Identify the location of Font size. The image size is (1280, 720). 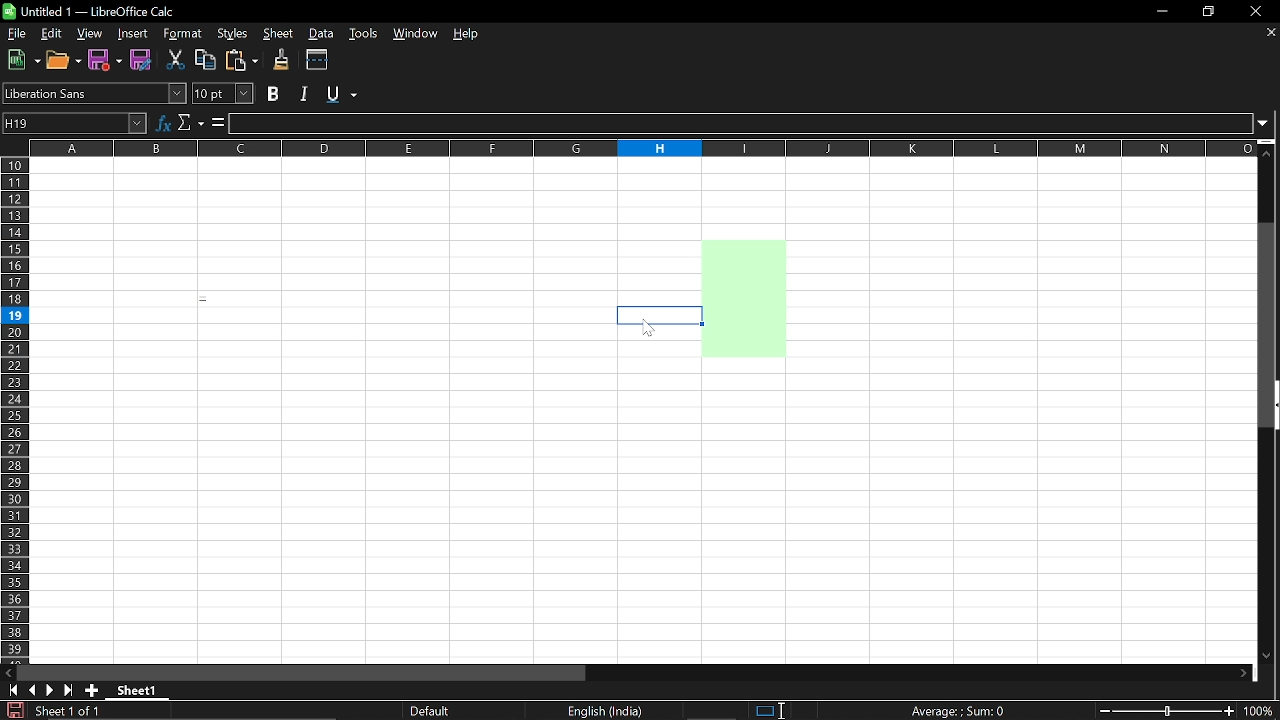
(225, 94).